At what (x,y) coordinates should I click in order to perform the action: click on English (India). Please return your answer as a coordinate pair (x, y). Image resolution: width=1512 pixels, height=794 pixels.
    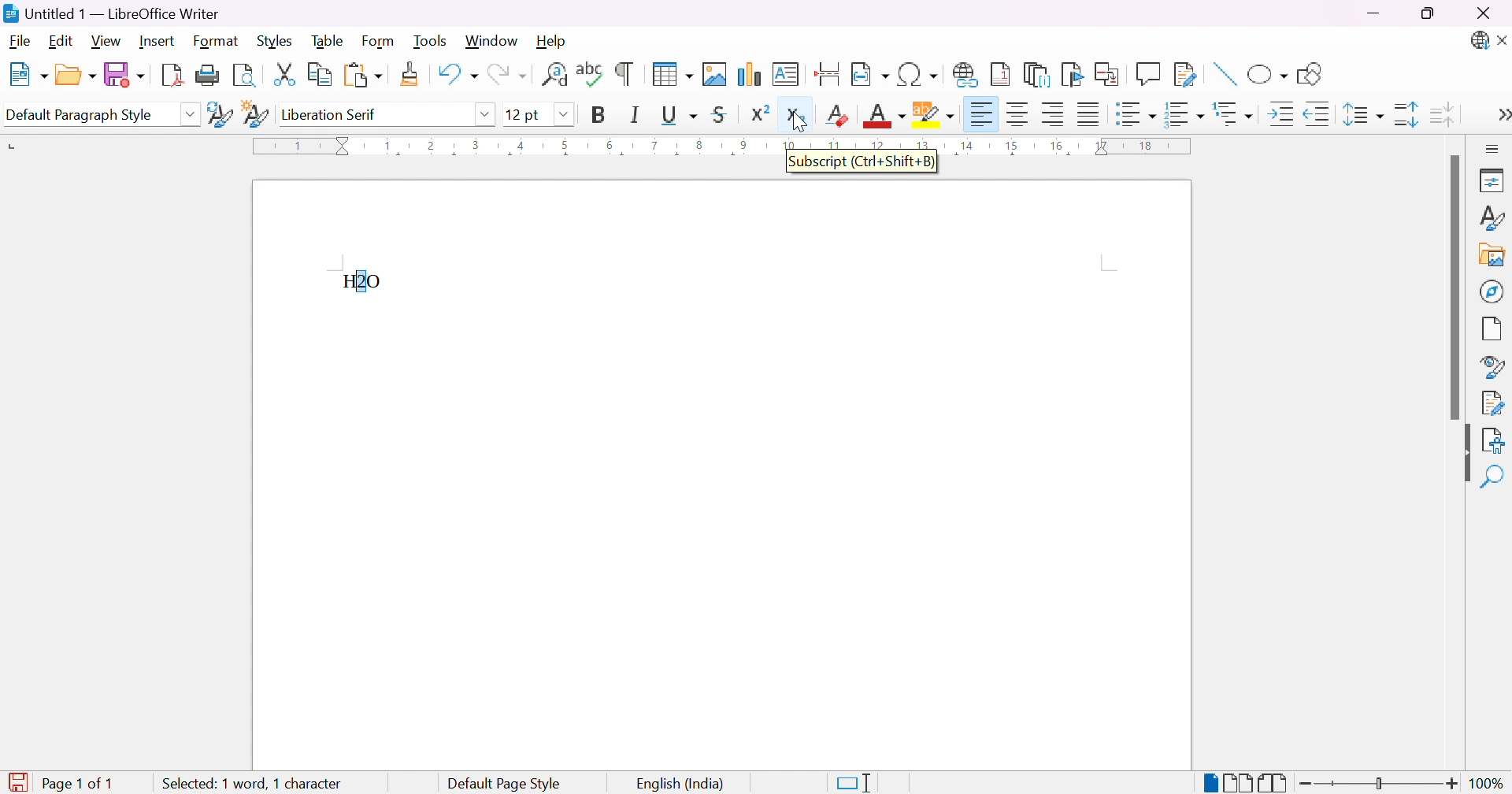
    Looking at the image, I should click on (681, 785).